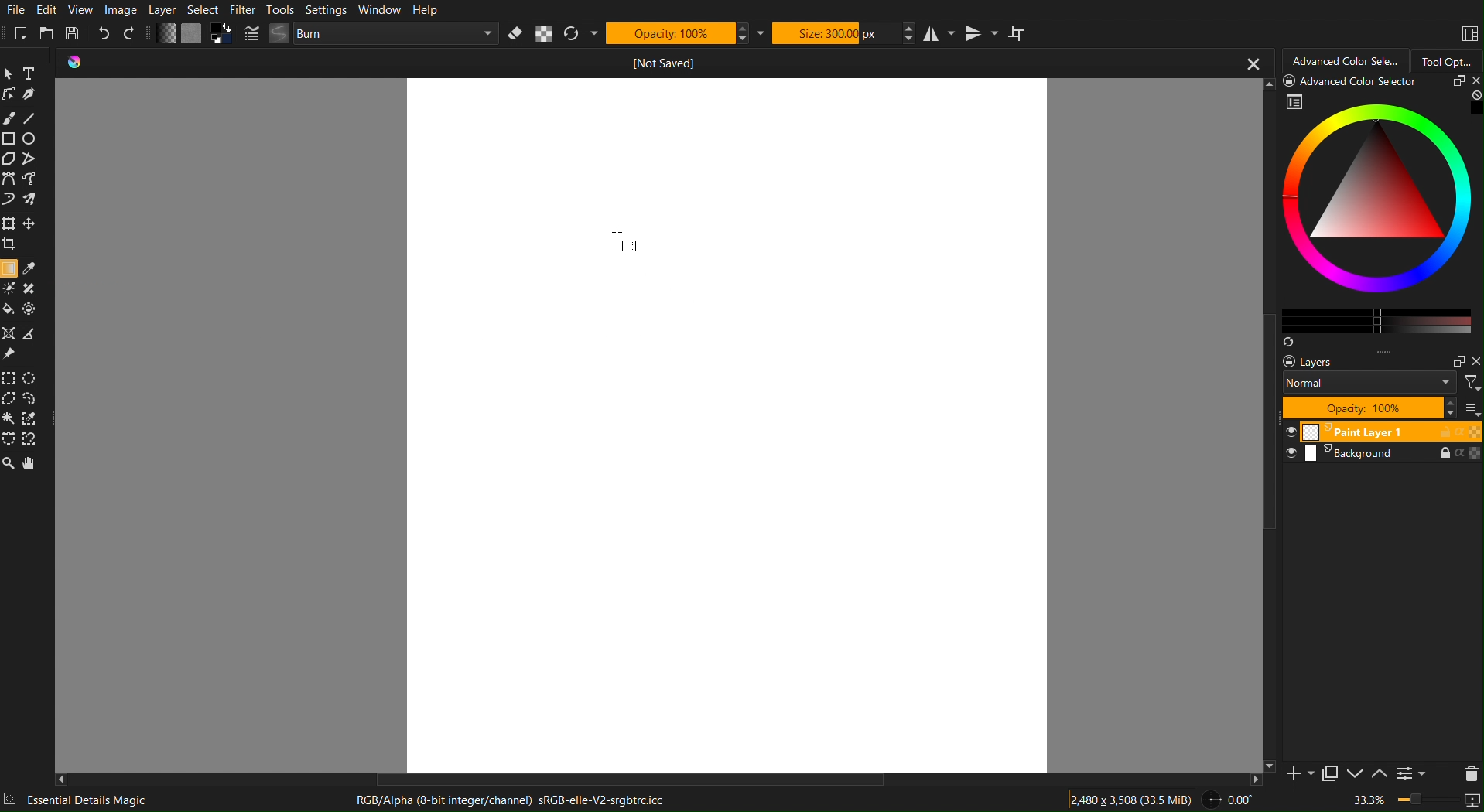 This screenshot has width=1484, height=812. Describe the element at coordinates (323, 10) in the screenshot. I see `Settings` at that location.